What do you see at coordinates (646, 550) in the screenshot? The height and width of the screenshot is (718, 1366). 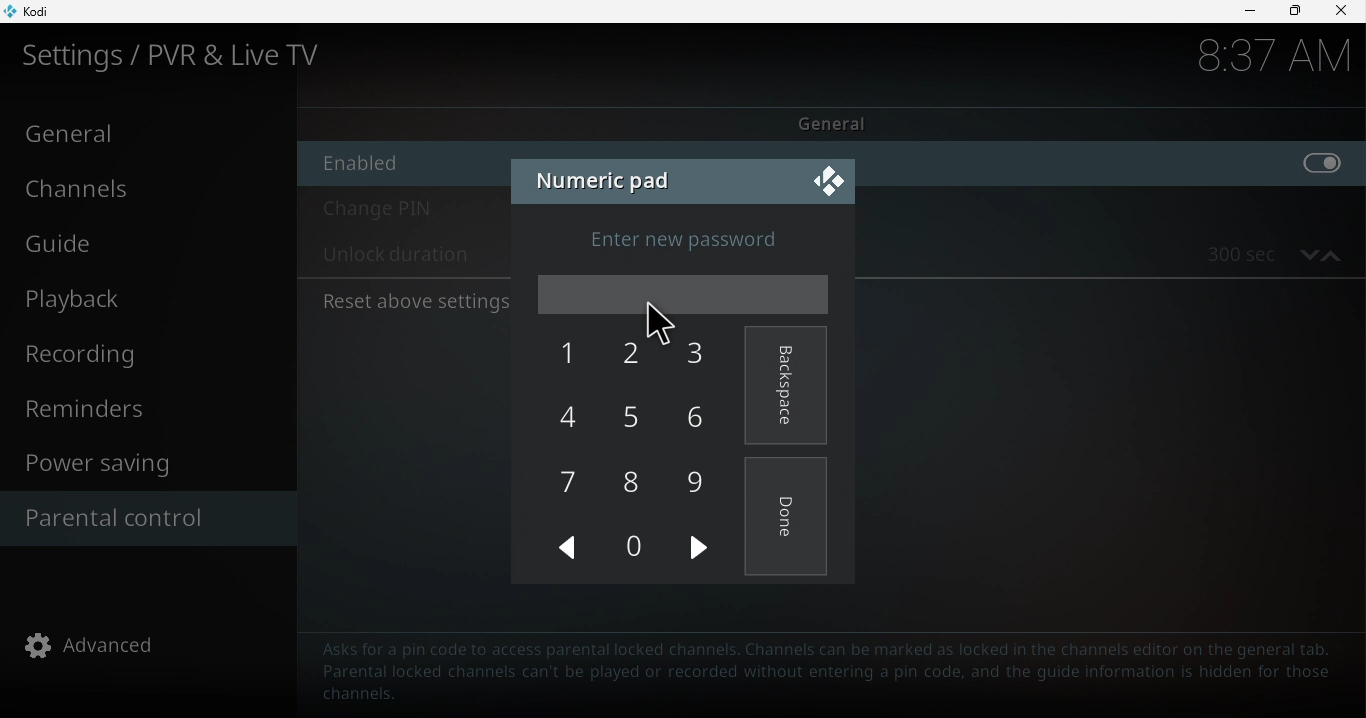 I see `0` at bounding box center [646, 550].